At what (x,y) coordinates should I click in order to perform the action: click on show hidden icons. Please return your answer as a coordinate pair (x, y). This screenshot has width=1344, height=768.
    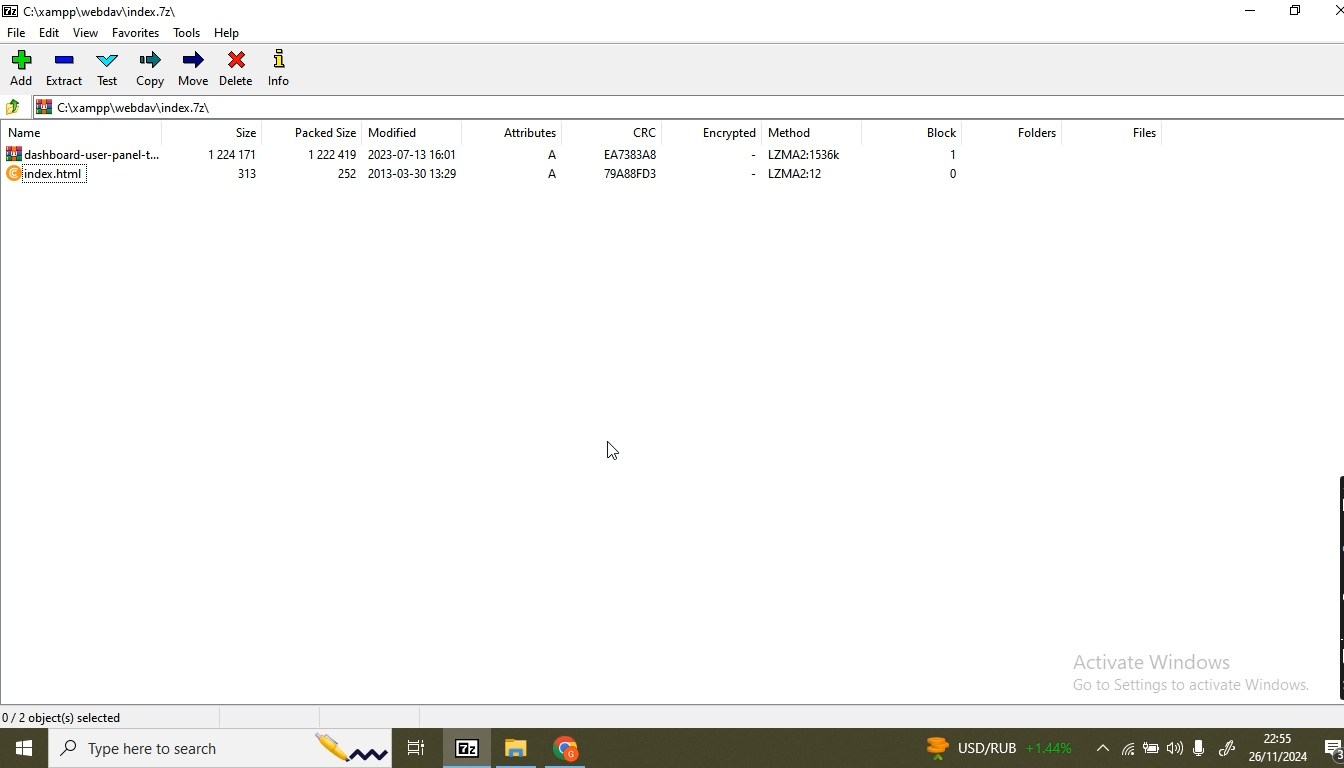
    Looking at the image, I should click on (1099, 750).